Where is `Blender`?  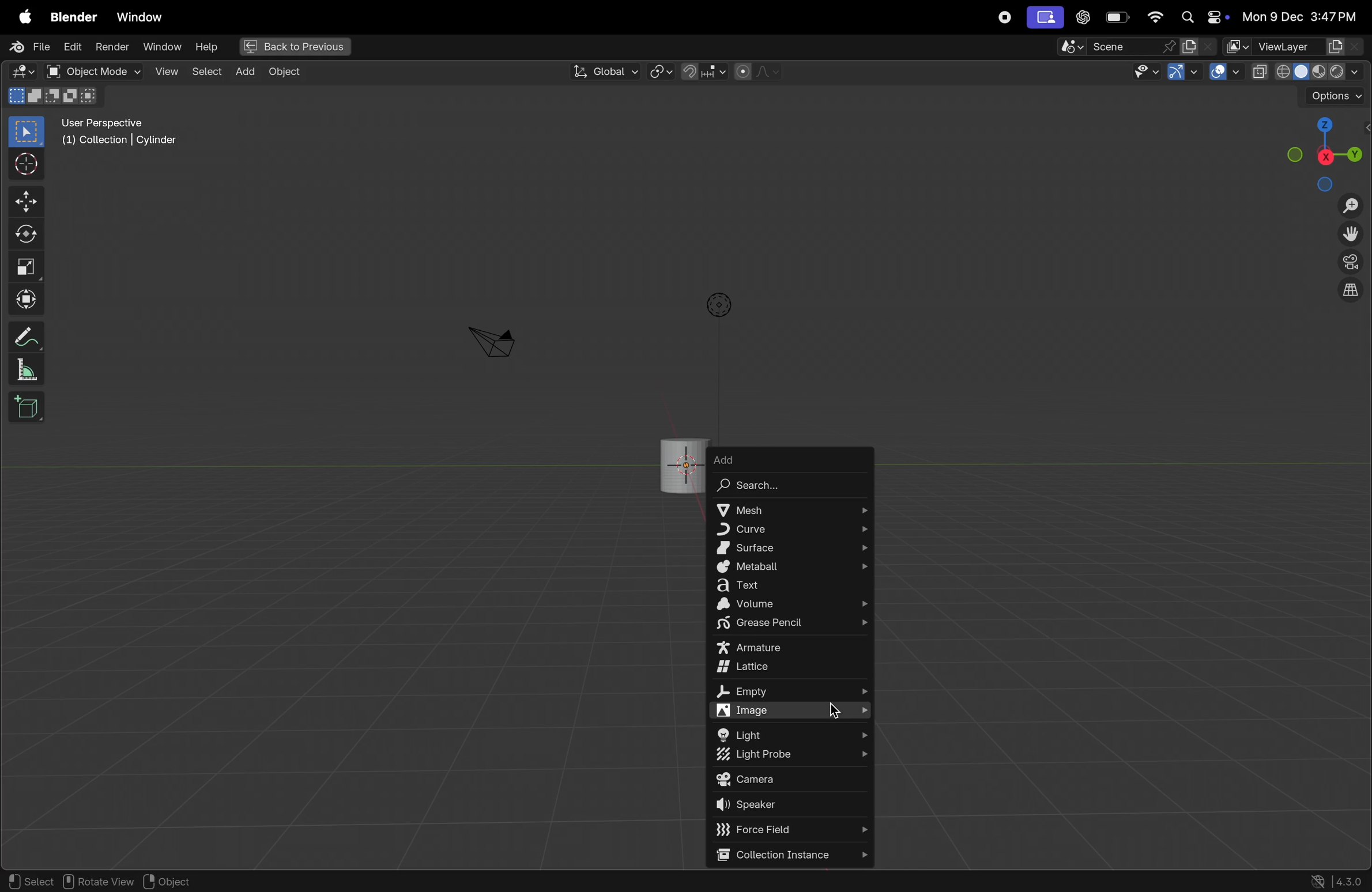 Blender is located at coordinates (70, 14).